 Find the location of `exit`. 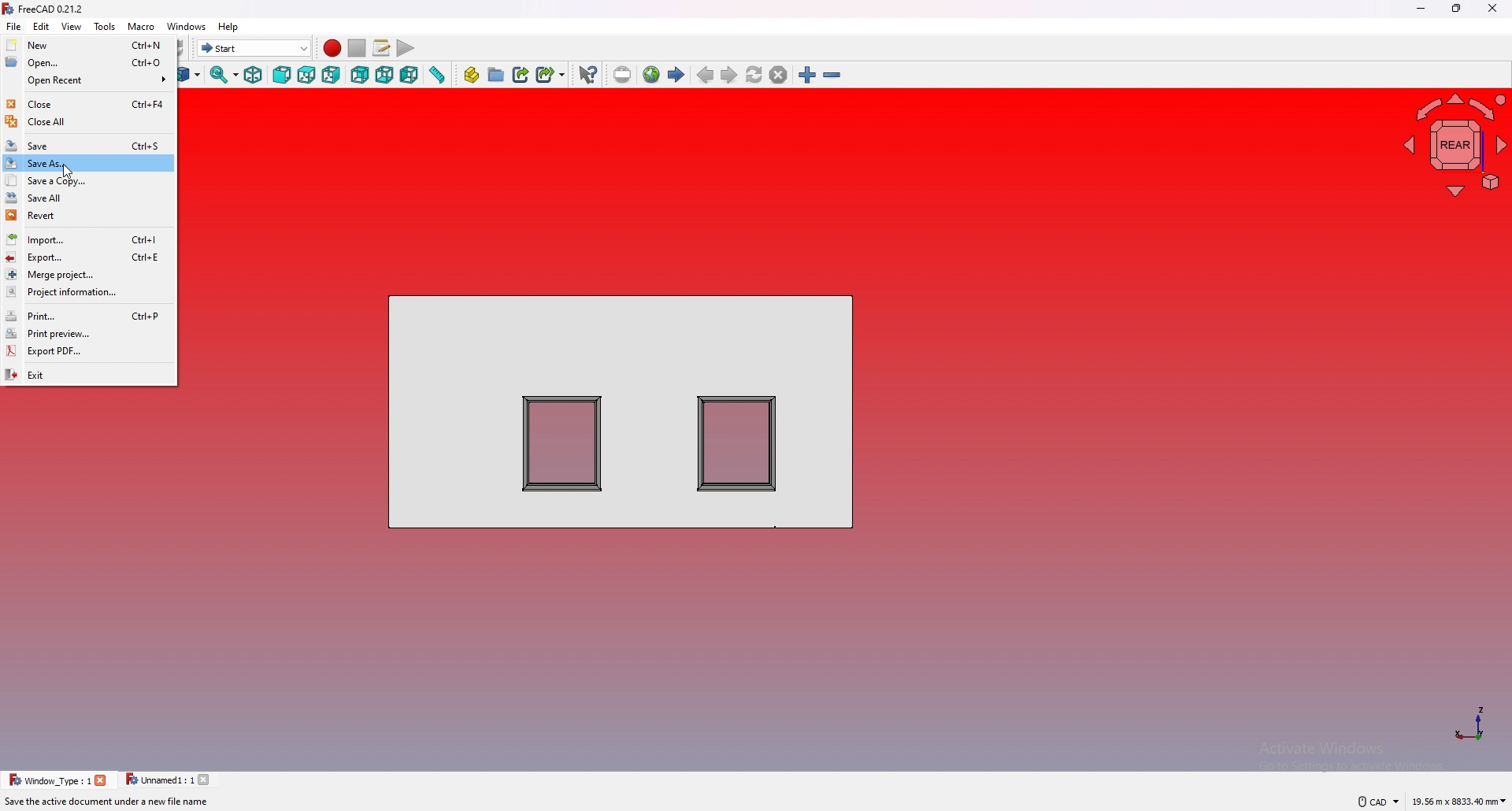

exit is located at coordinates (88, 373).